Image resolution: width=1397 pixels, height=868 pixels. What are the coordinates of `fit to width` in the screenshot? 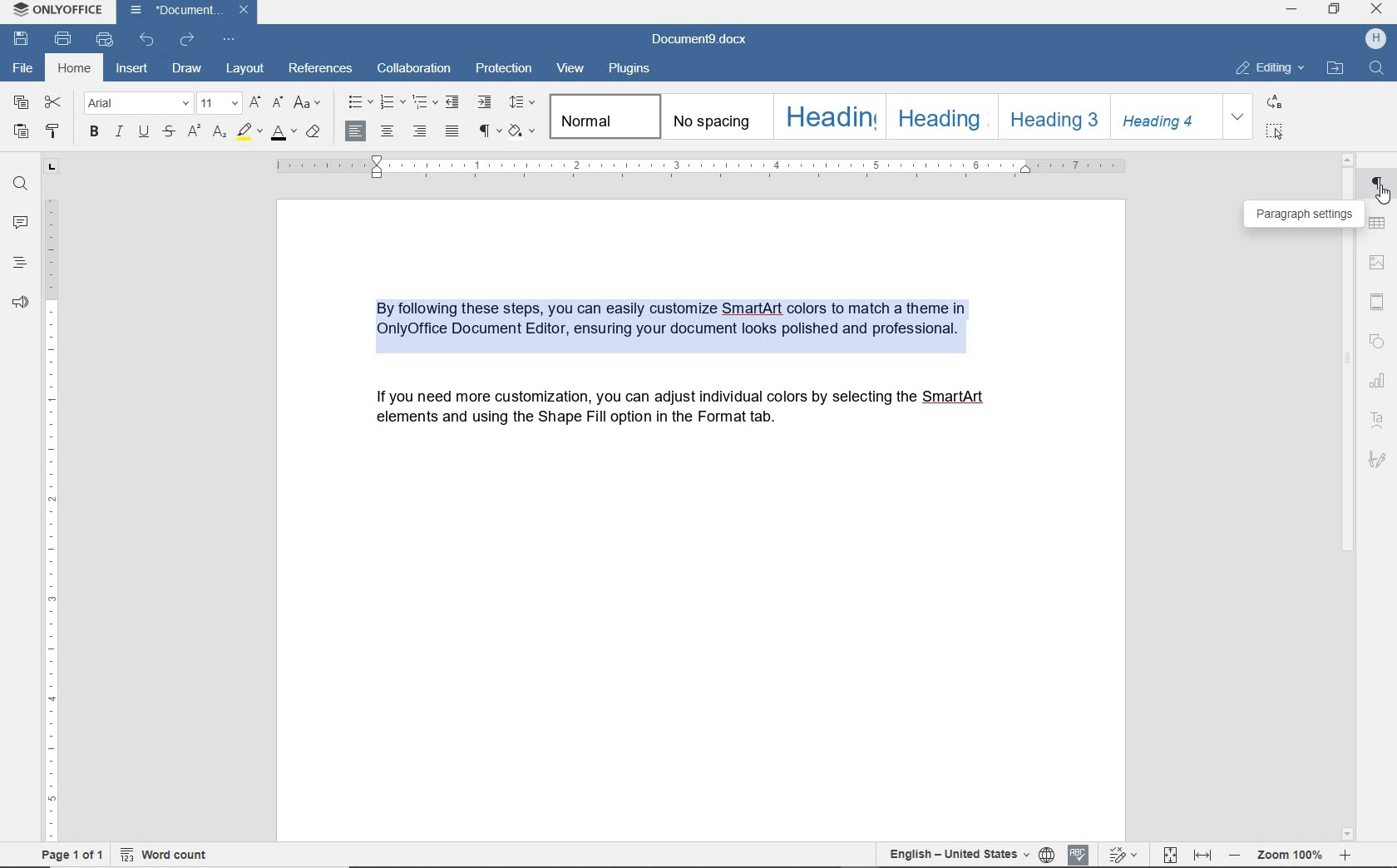 It's located at (1203, 856).